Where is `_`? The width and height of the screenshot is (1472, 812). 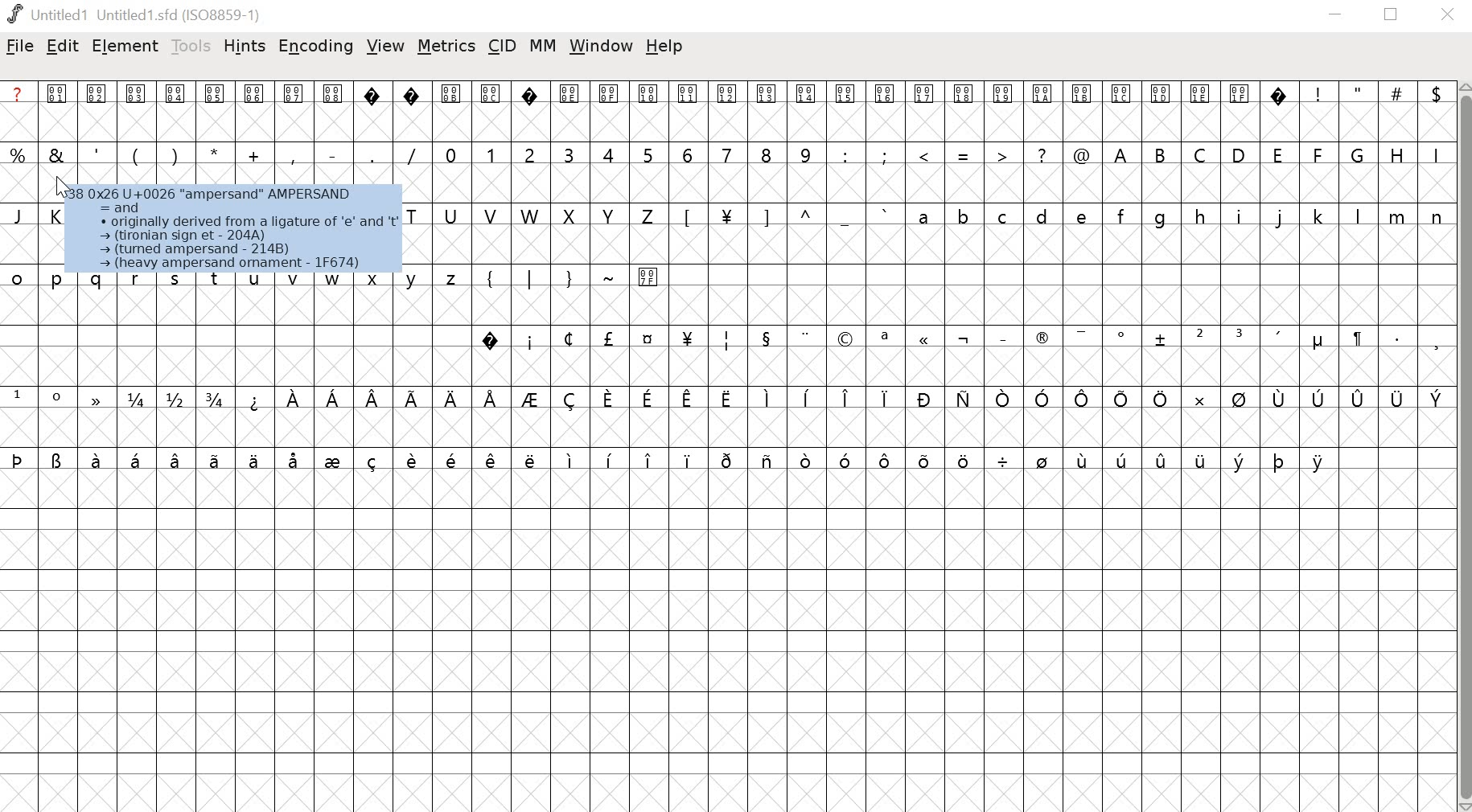 _ is located at coordinates (848, 217).